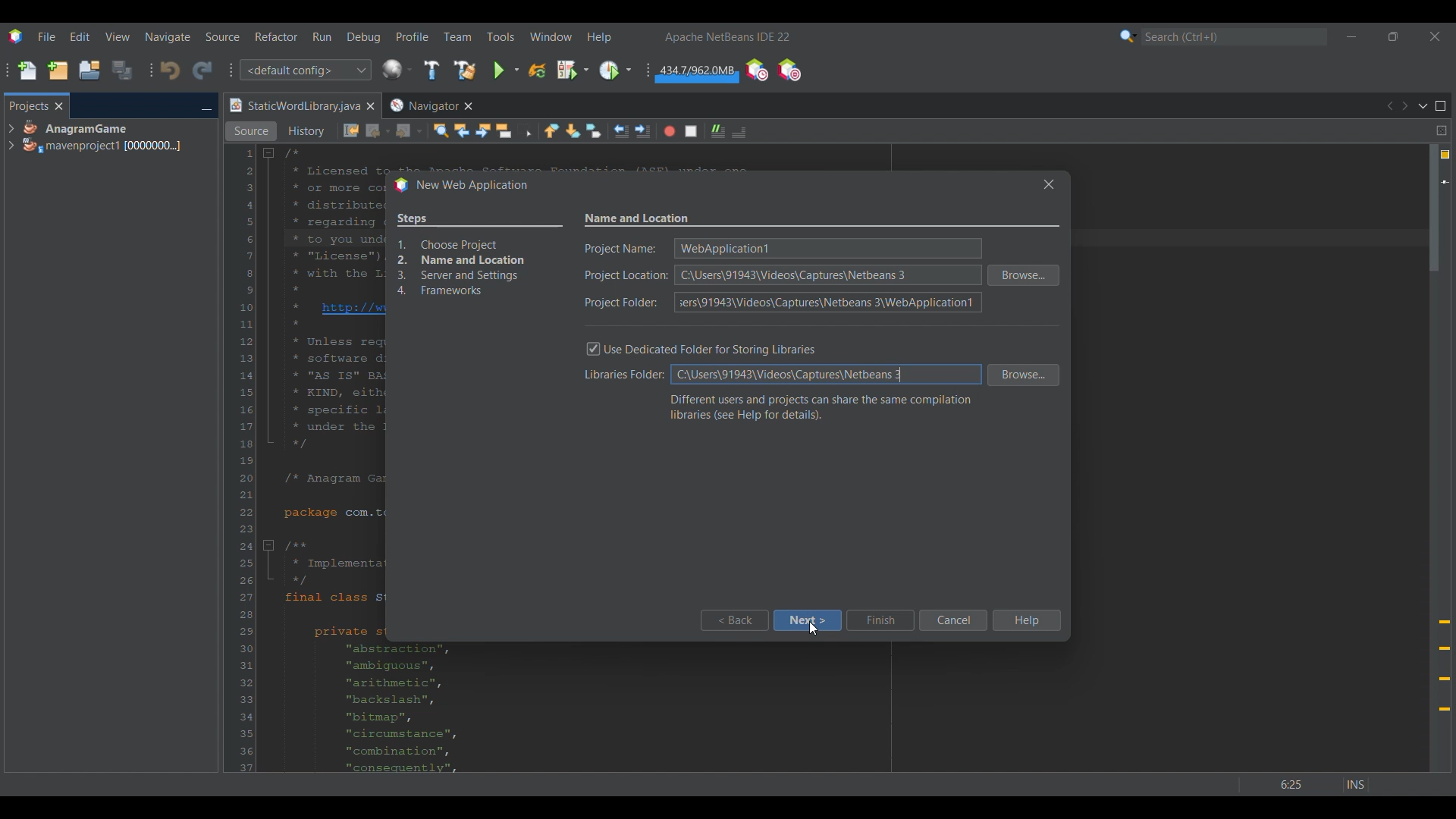  Describe the element at coordinates (1445, 666) in the screenshot. I see `Add @override annotation` at that location.